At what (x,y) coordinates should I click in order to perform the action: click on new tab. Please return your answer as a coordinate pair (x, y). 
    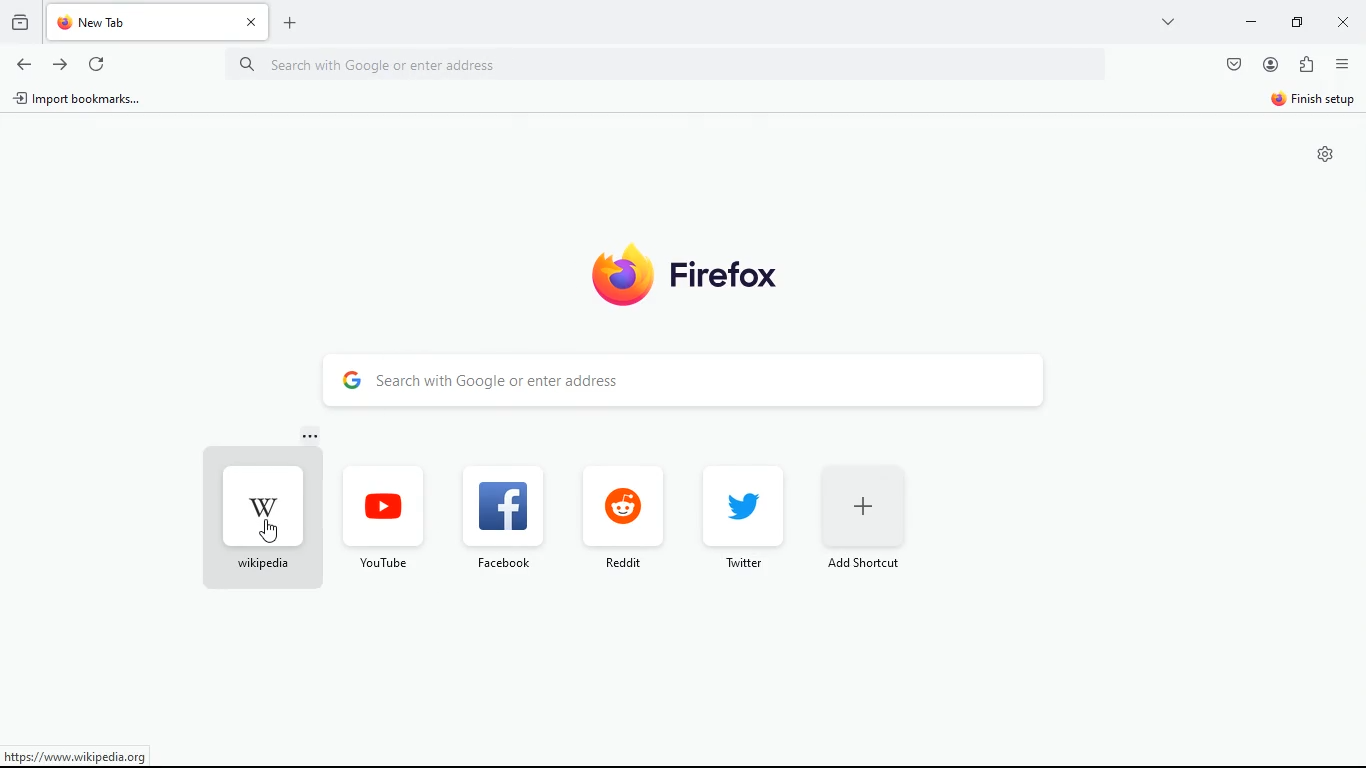
    Looking at the image, I should click on (157, 21).